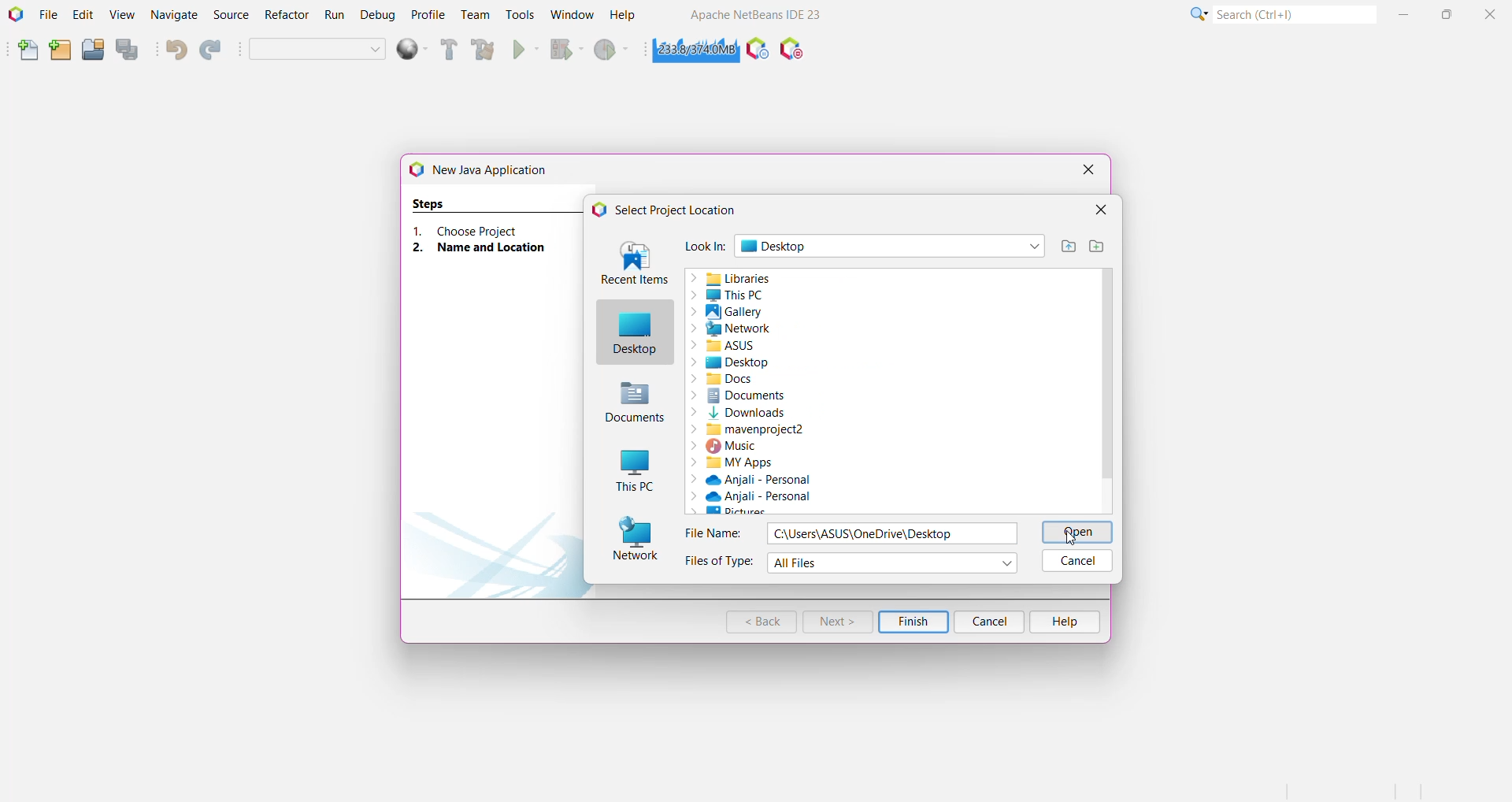  What do you see at coordinates (722, 563) in the screenshot?
I see `Files of Type` at bounding box center [722, 563].